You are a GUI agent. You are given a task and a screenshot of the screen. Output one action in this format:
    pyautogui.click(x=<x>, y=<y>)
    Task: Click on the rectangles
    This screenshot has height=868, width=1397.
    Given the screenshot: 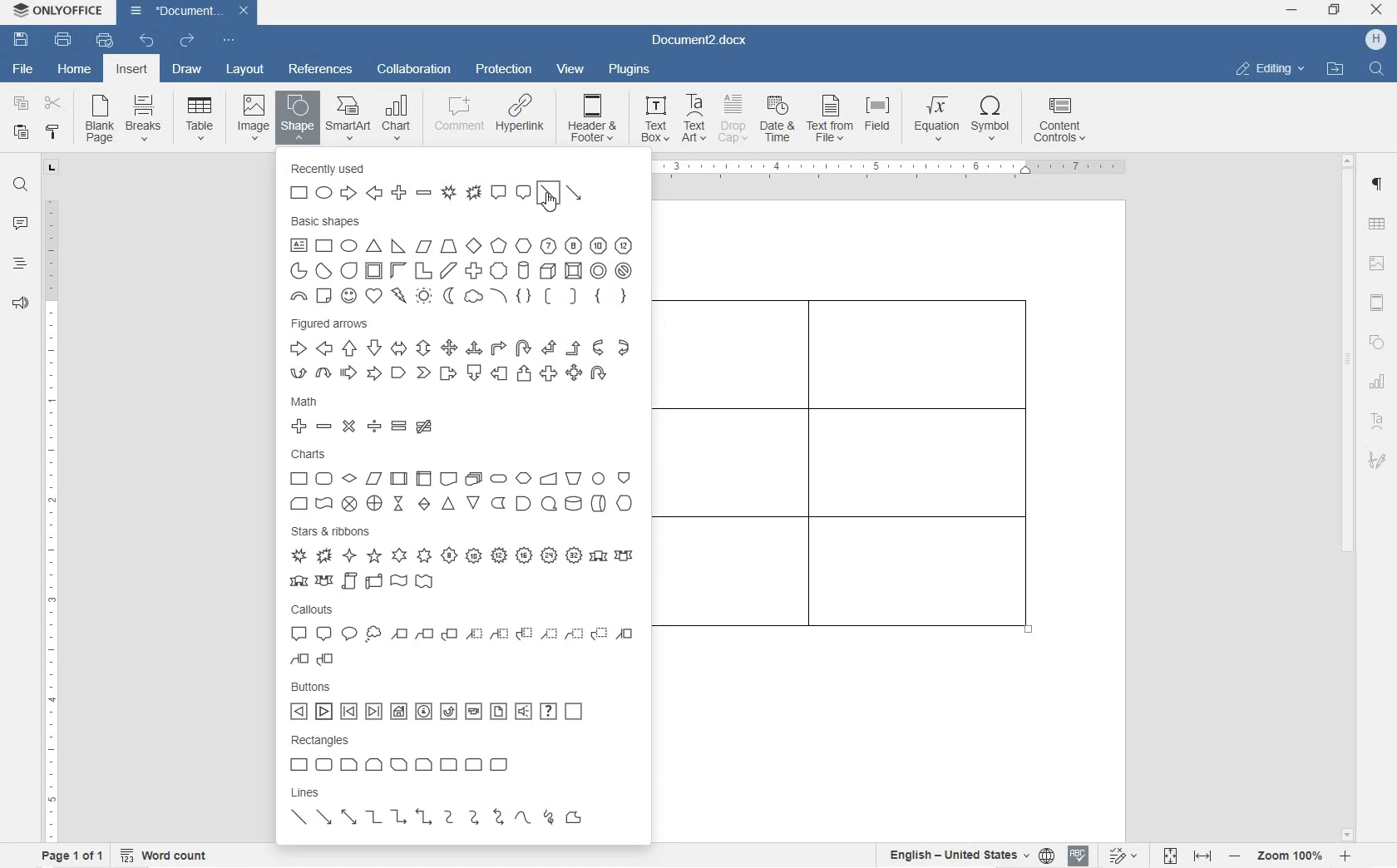 What is the action you would take?
    pyautogui.click(x=445, y=752)
    